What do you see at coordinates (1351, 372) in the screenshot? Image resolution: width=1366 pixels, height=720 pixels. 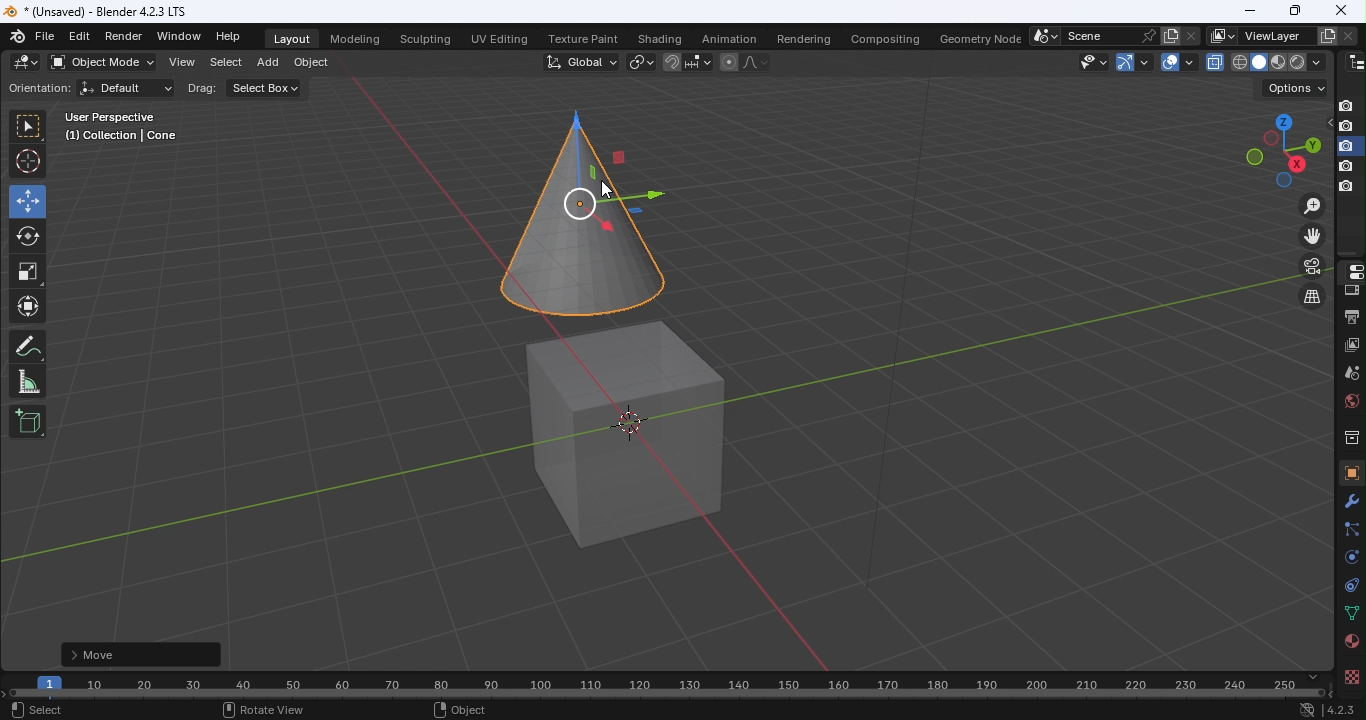 I see `Scene` at bounding box center [1351, 372].